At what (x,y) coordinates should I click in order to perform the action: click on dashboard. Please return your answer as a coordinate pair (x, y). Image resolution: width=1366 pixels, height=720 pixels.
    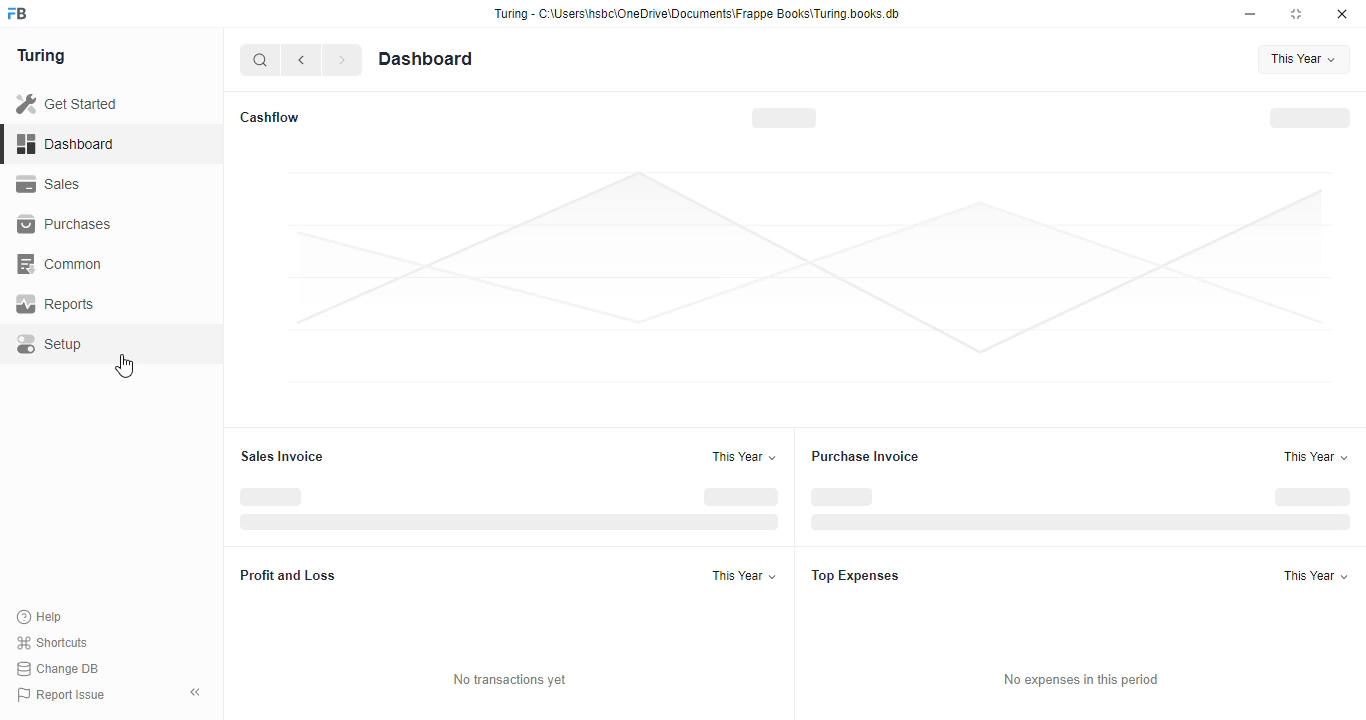
    Looking at the image, I should click on (426, 58).